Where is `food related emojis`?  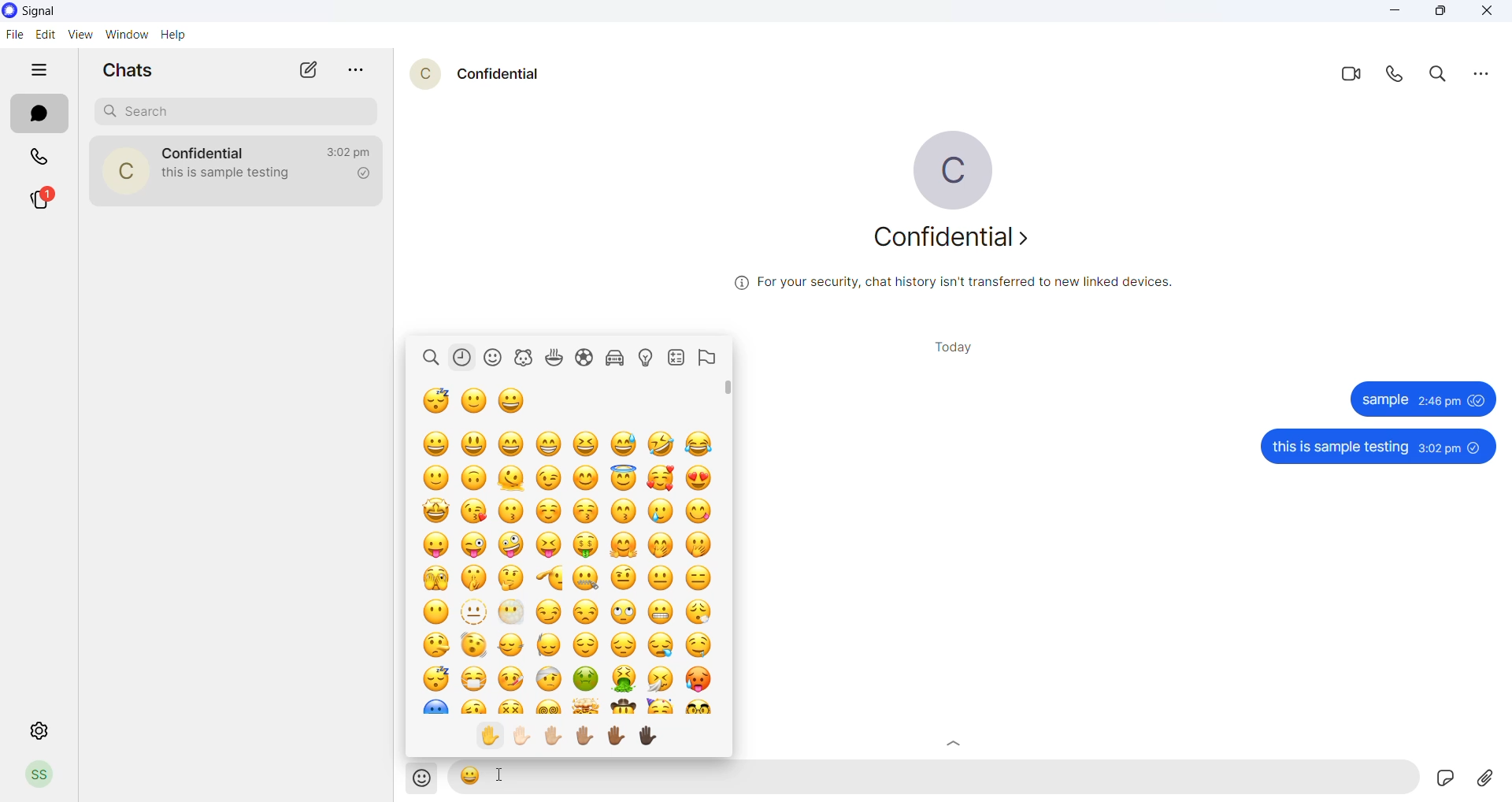 food related emojis is located at coordinates (555, 358).